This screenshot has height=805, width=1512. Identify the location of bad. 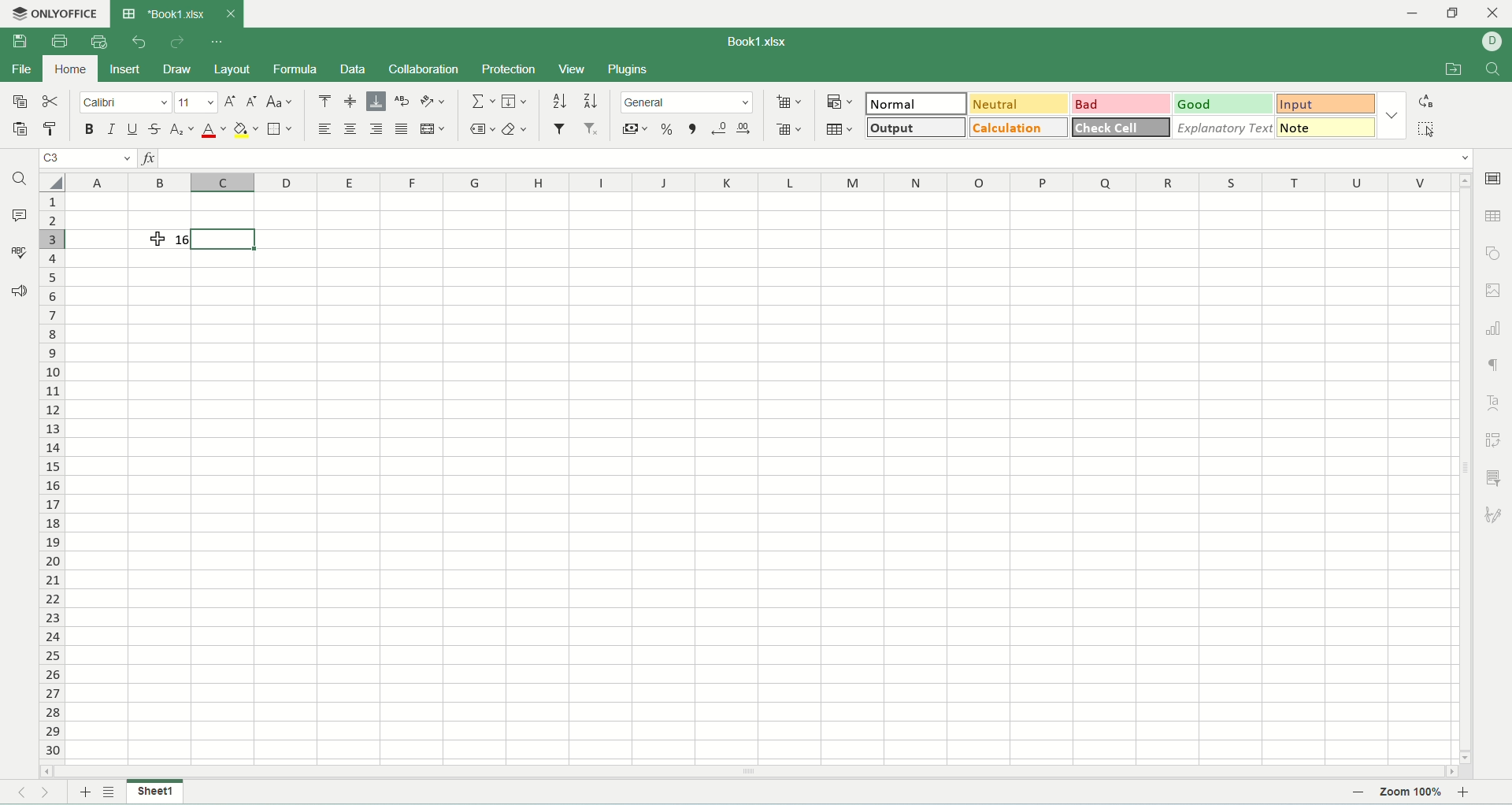
(1124, 103).